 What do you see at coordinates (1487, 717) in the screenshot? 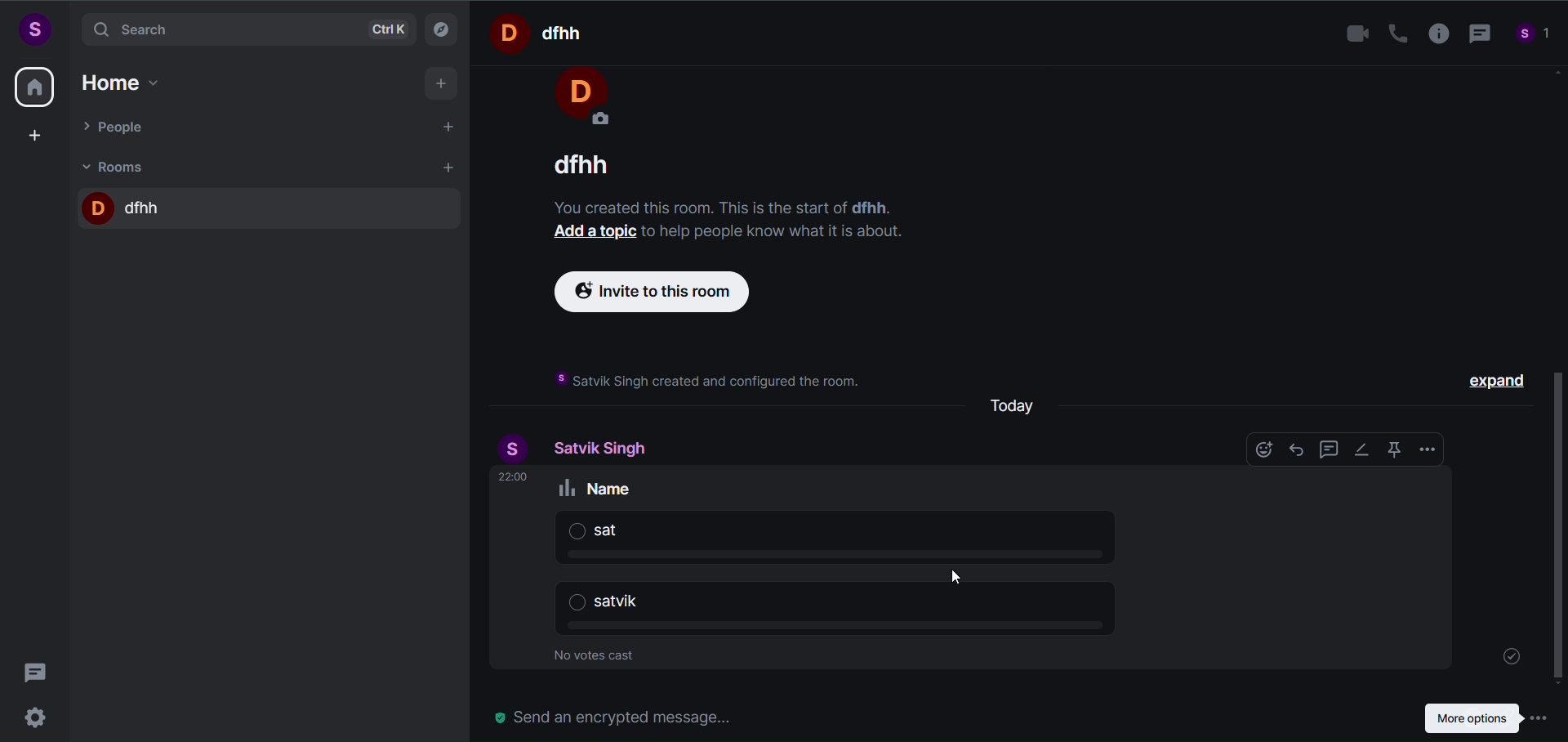
I see `more options` at bounding box center [1487, 717].